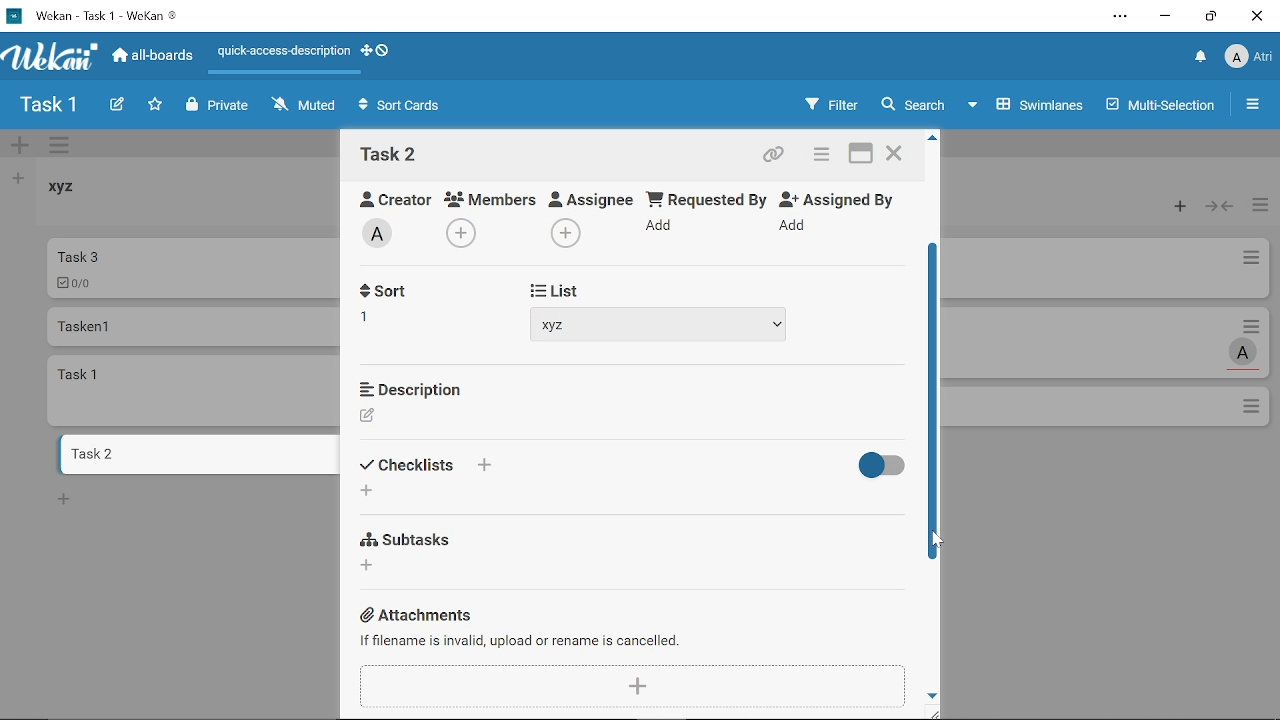 The height and width of the screenshot is (720, 1280). What do you see at coordinates (196, 454) in the screenshot?
I see `Card named "task 2"` at bounding box center [196, 454].